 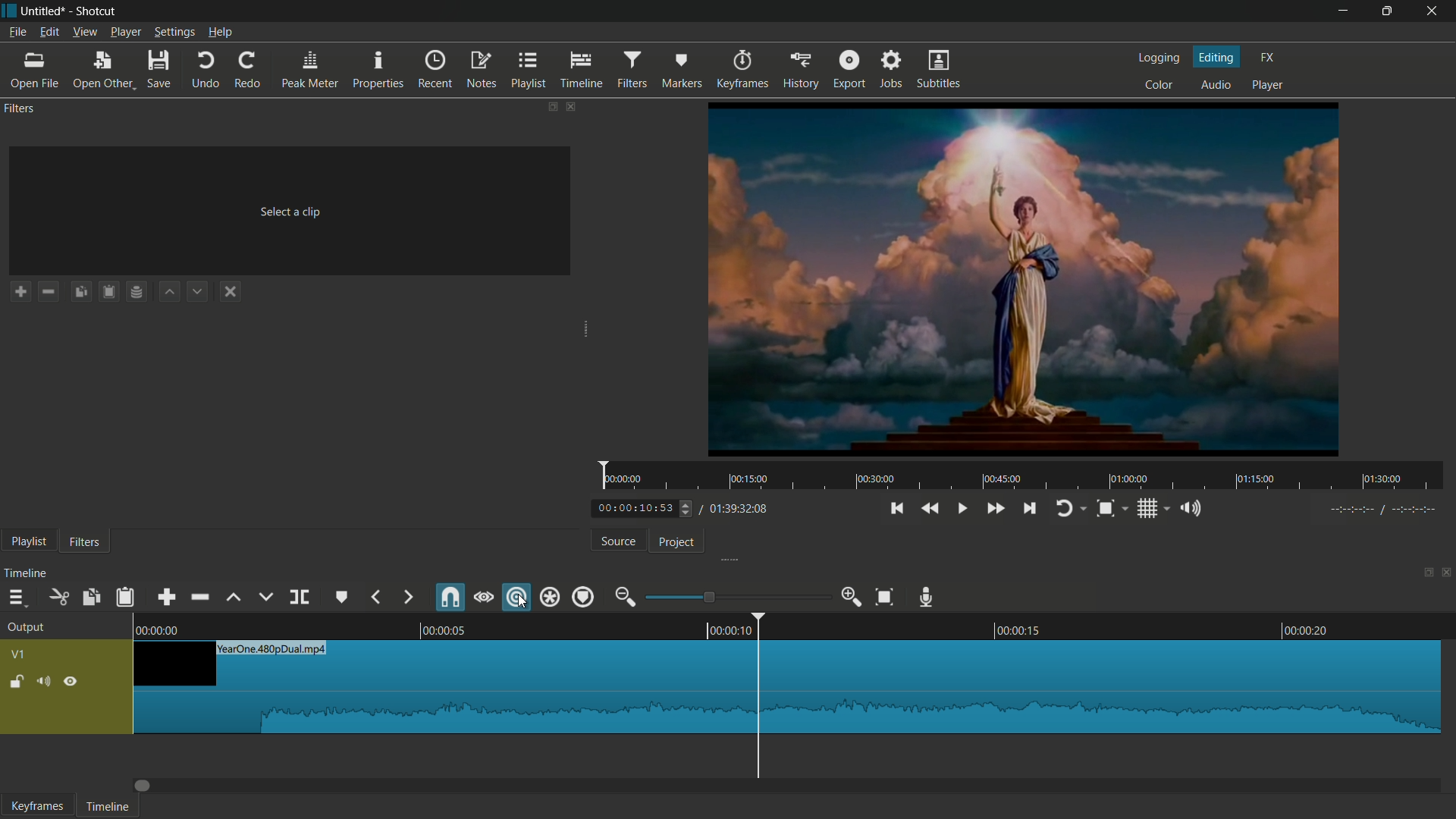 What do you see at coordinates (451, 598) in the screenshot?
I see `snap` at bounding box center [451, 598].